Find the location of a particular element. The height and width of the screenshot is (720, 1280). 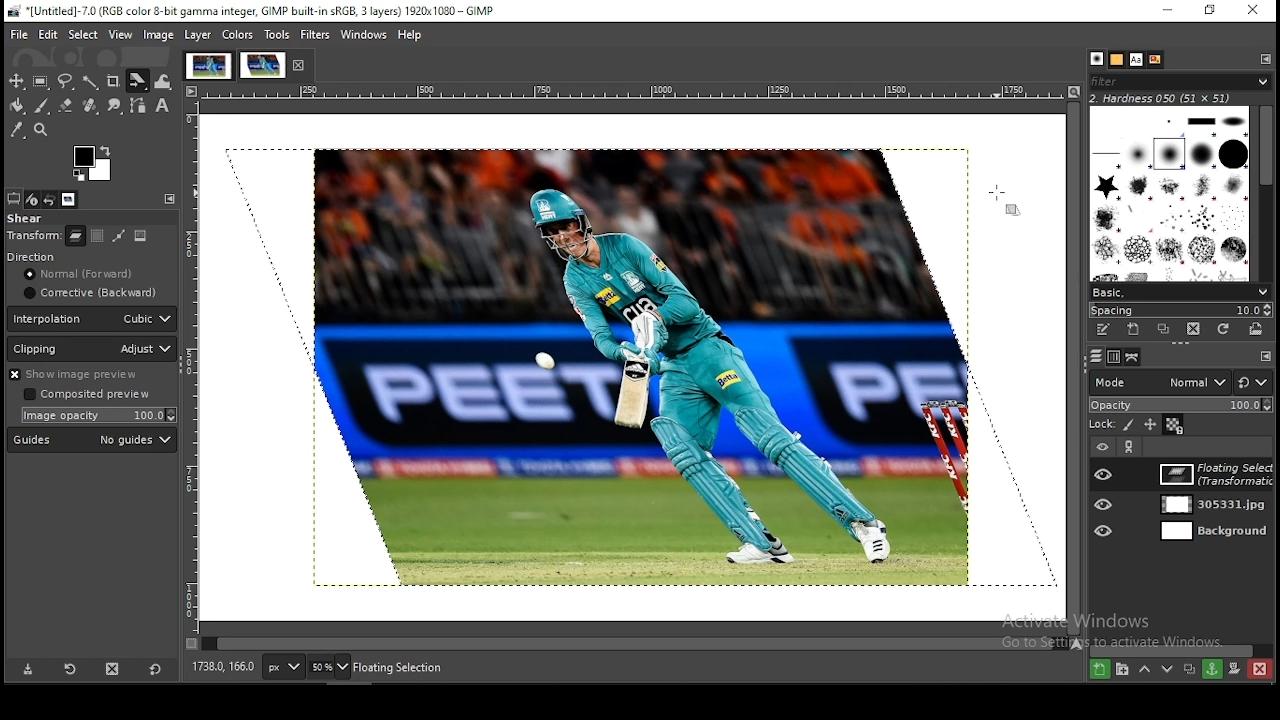

reset to default is located at coordinates (155, 670).